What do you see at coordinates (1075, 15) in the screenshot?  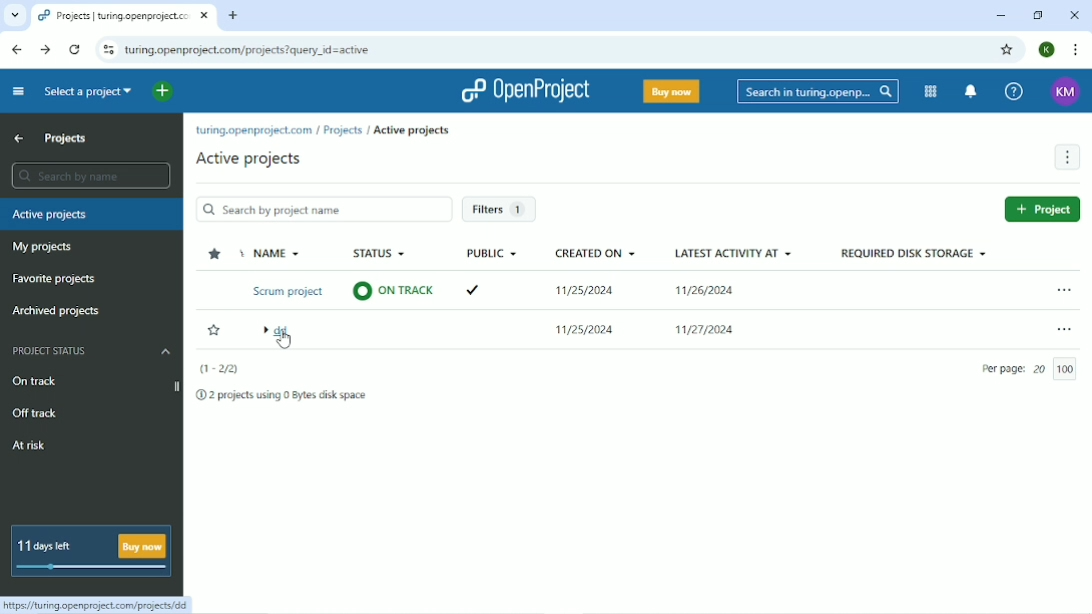 I see `Close` at bounding box center [1075, 15].